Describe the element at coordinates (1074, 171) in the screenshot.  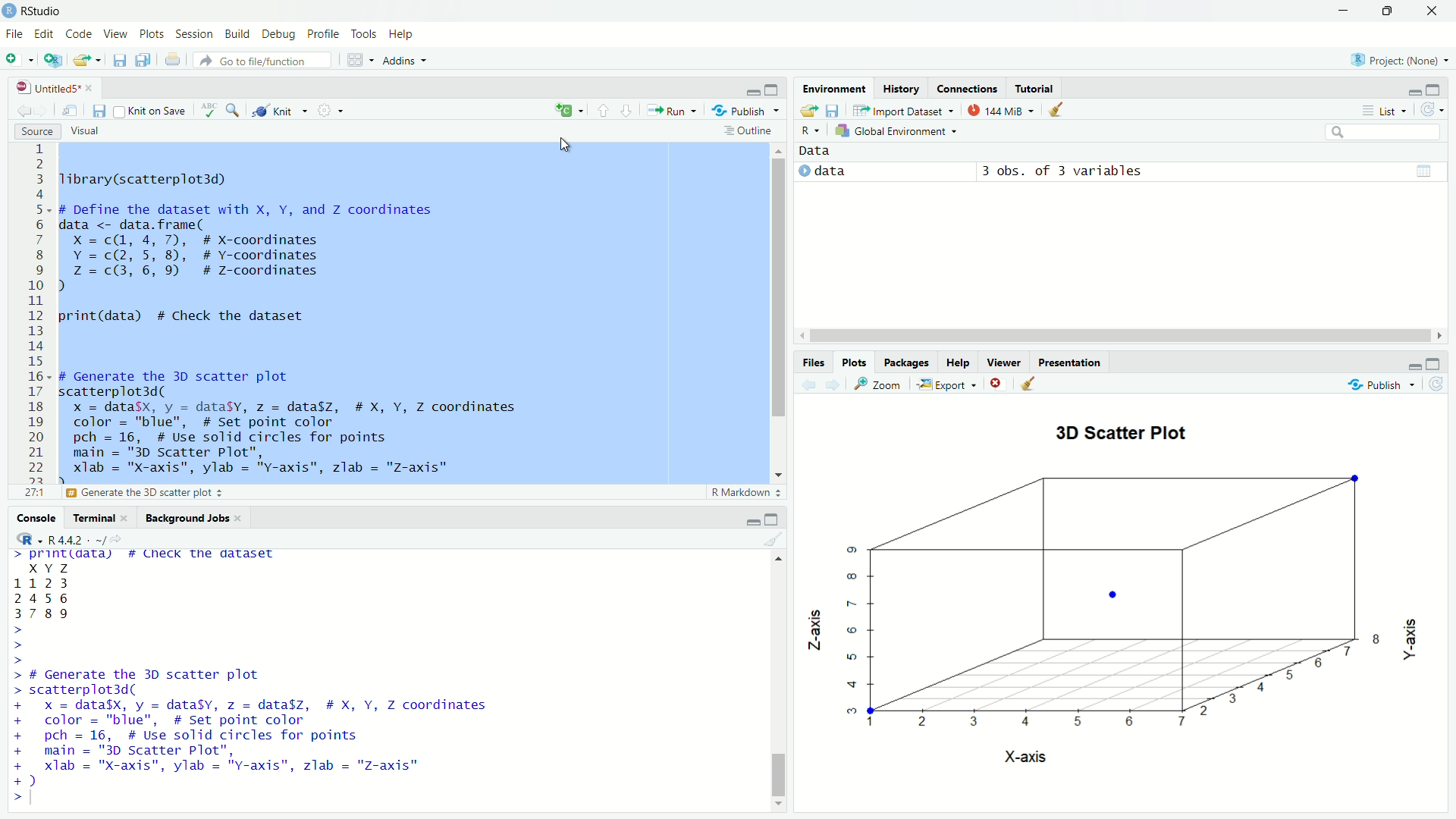
I see `3 obs. of 3 variables` at that location.